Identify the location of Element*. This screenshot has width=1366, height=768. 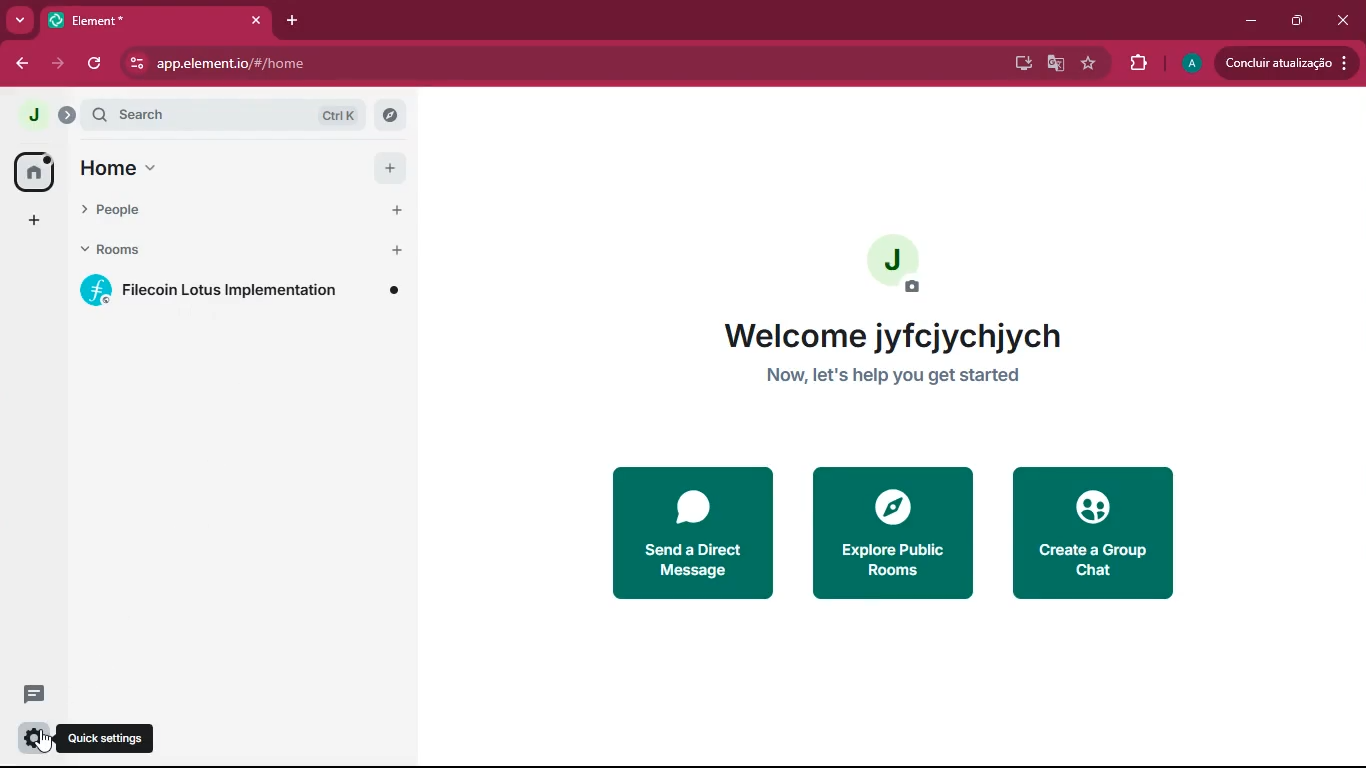
(143, 19).